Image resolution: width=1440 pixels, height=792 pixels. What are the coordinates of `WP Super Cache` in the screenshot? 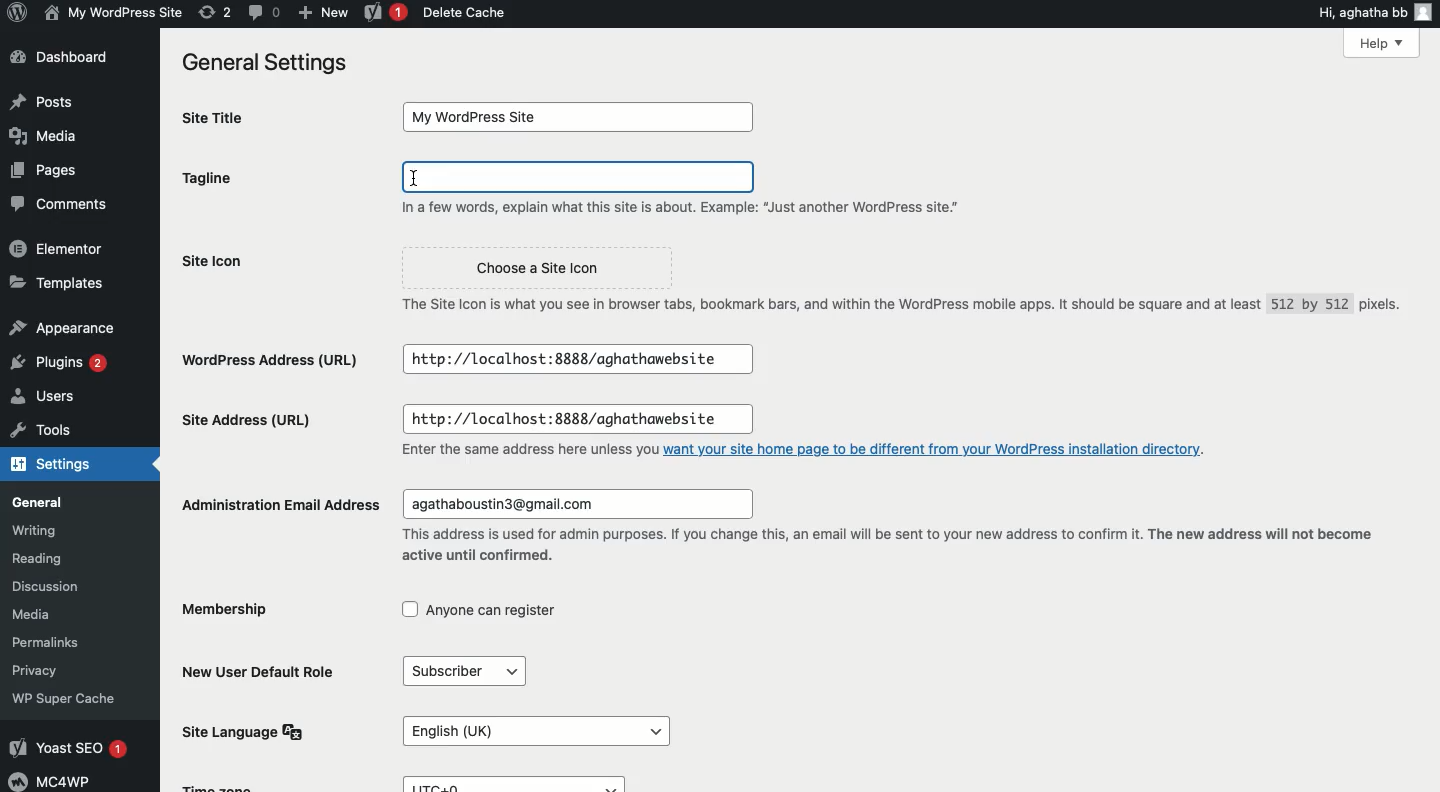 It's located at (79, 698).